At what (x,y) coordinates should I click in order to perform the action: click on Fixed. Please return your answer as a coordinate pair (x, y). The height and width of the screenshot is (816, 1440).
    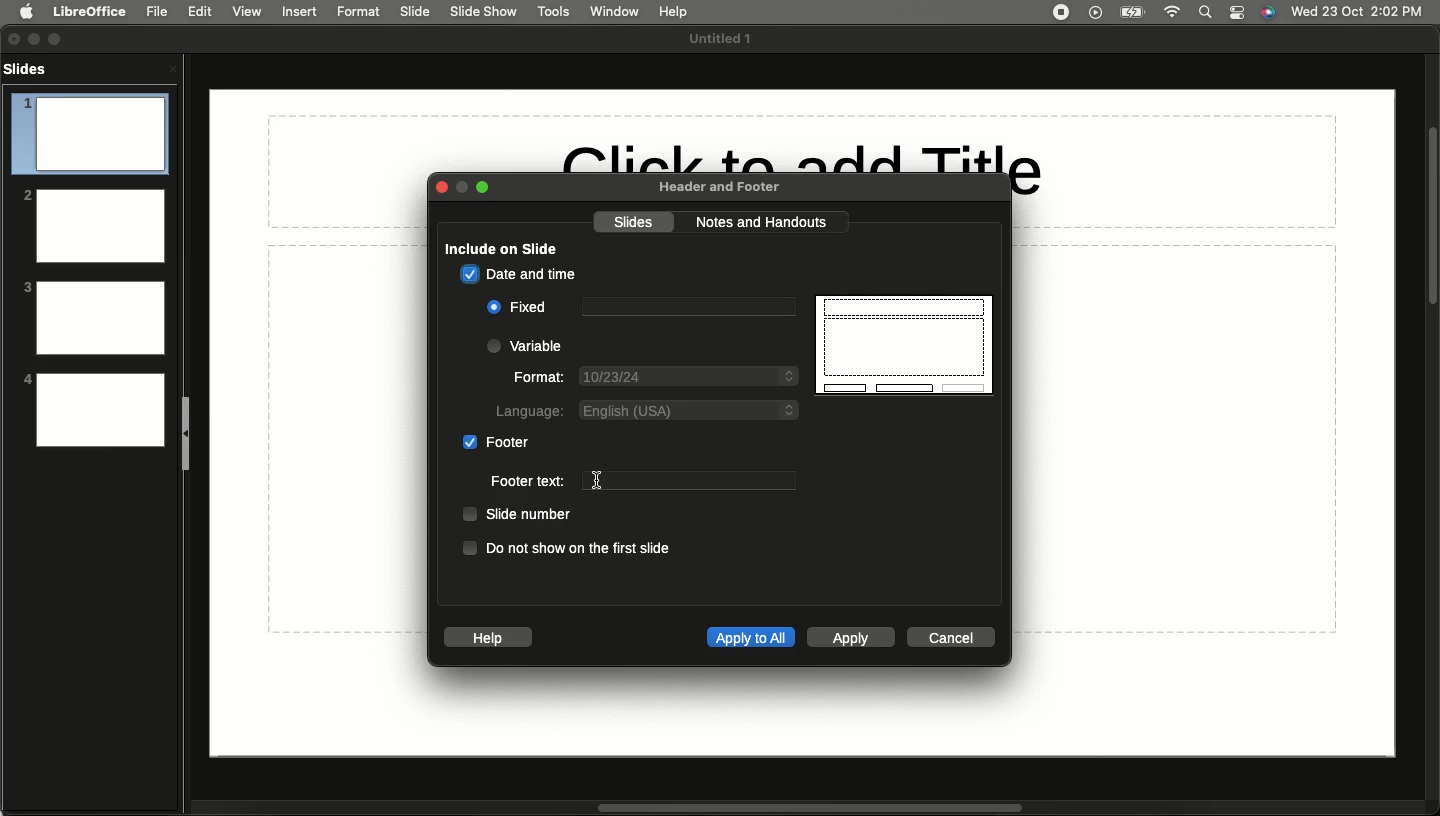
    Looking at the image, I should click on (519, 308).